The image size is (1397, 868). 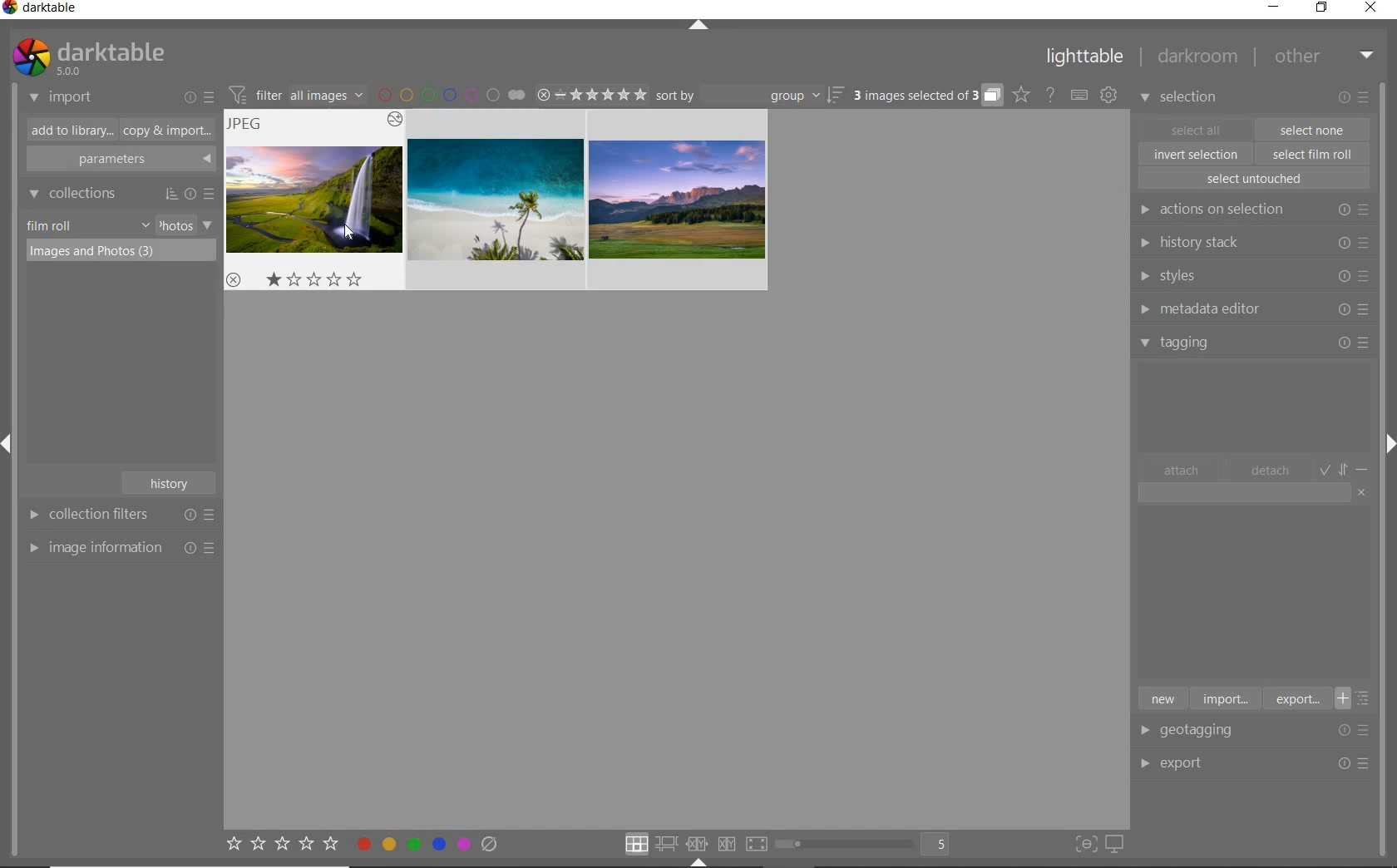 I want to click on tagging, so click(x=1255, y=342).